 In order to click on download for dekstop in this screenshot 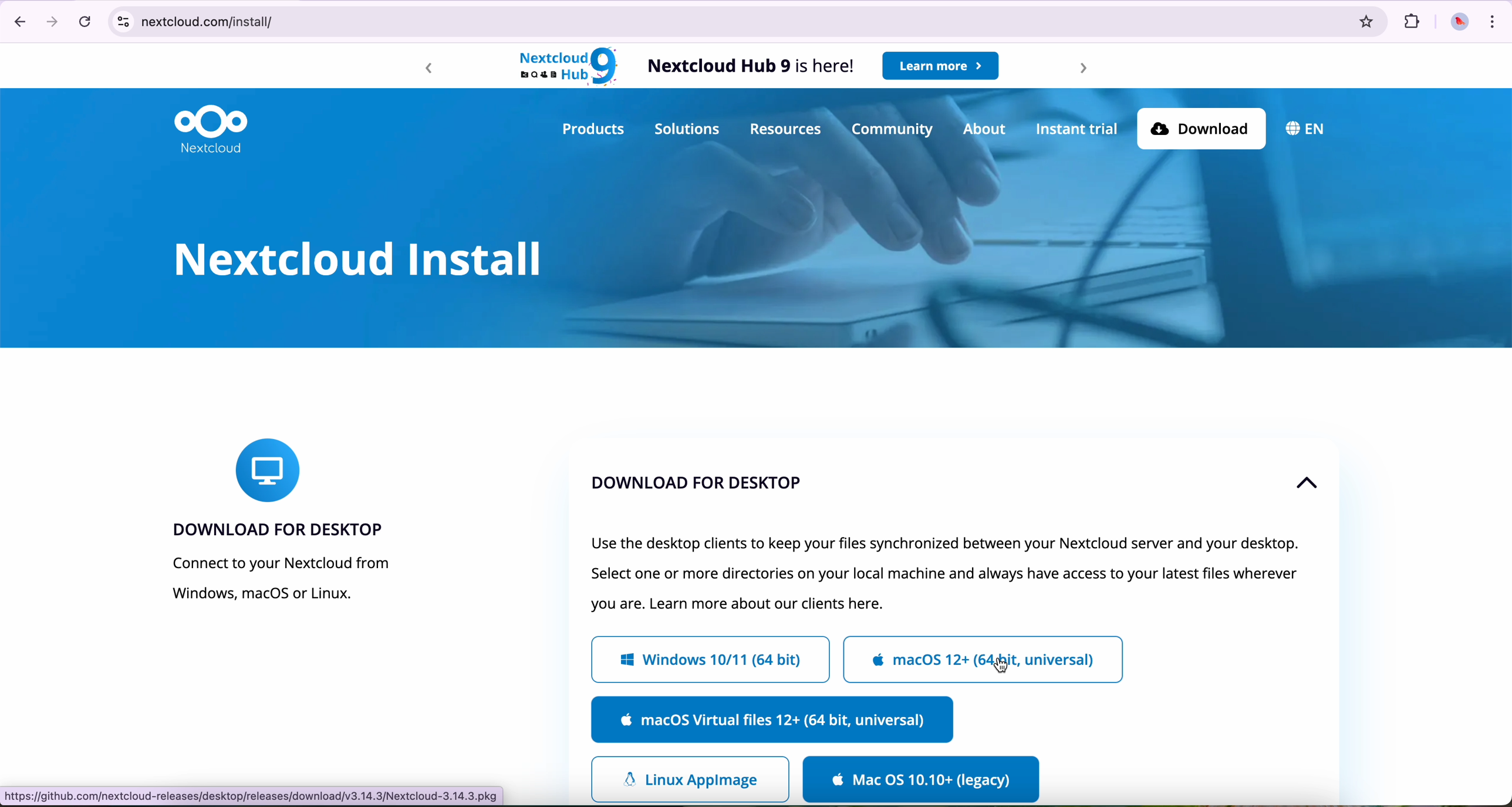, I will do `click(727, 487)`.